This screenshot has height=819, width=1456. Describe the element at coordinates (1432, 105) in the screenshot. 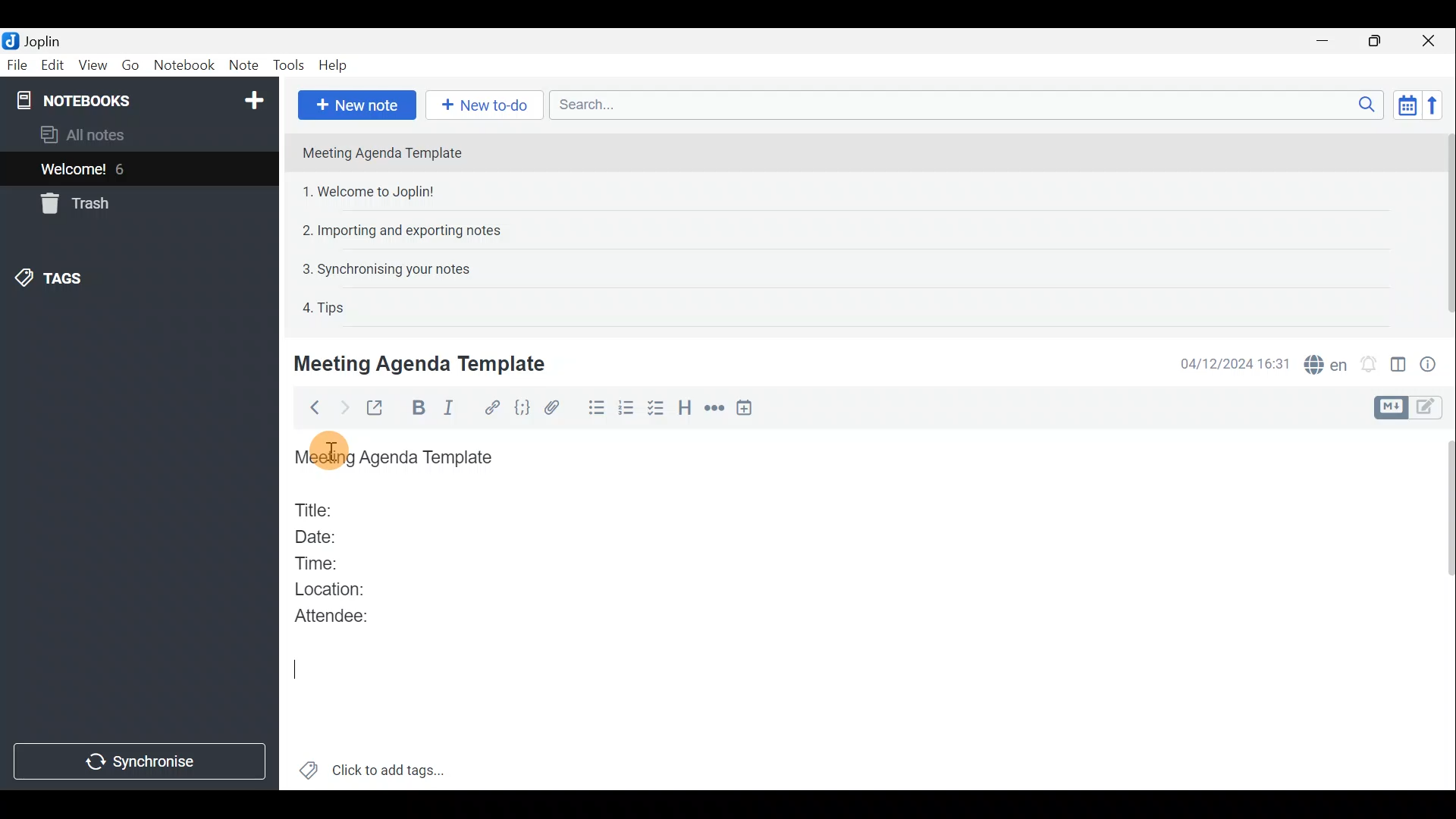

I see `Reverse sort order` at that location.